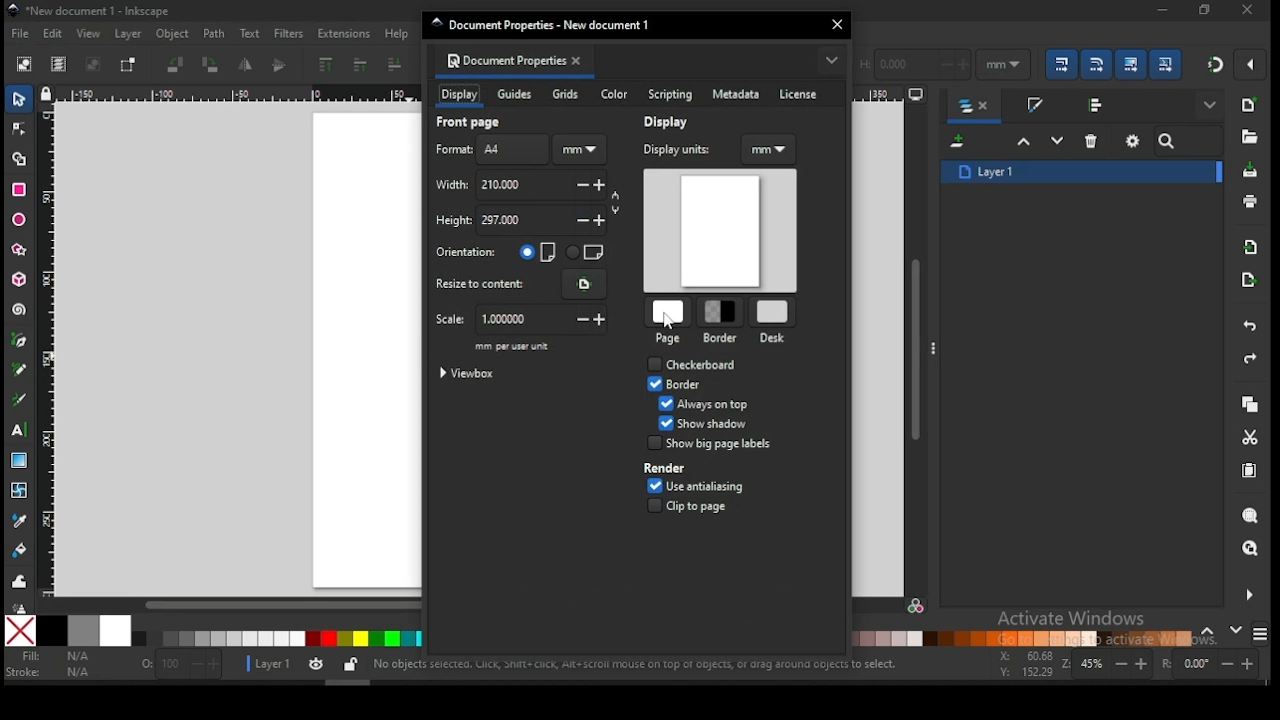 The image size is (1280, 720). Describe the element at coordinates (470, 122) in the screenshot. I see `front page` at that location.